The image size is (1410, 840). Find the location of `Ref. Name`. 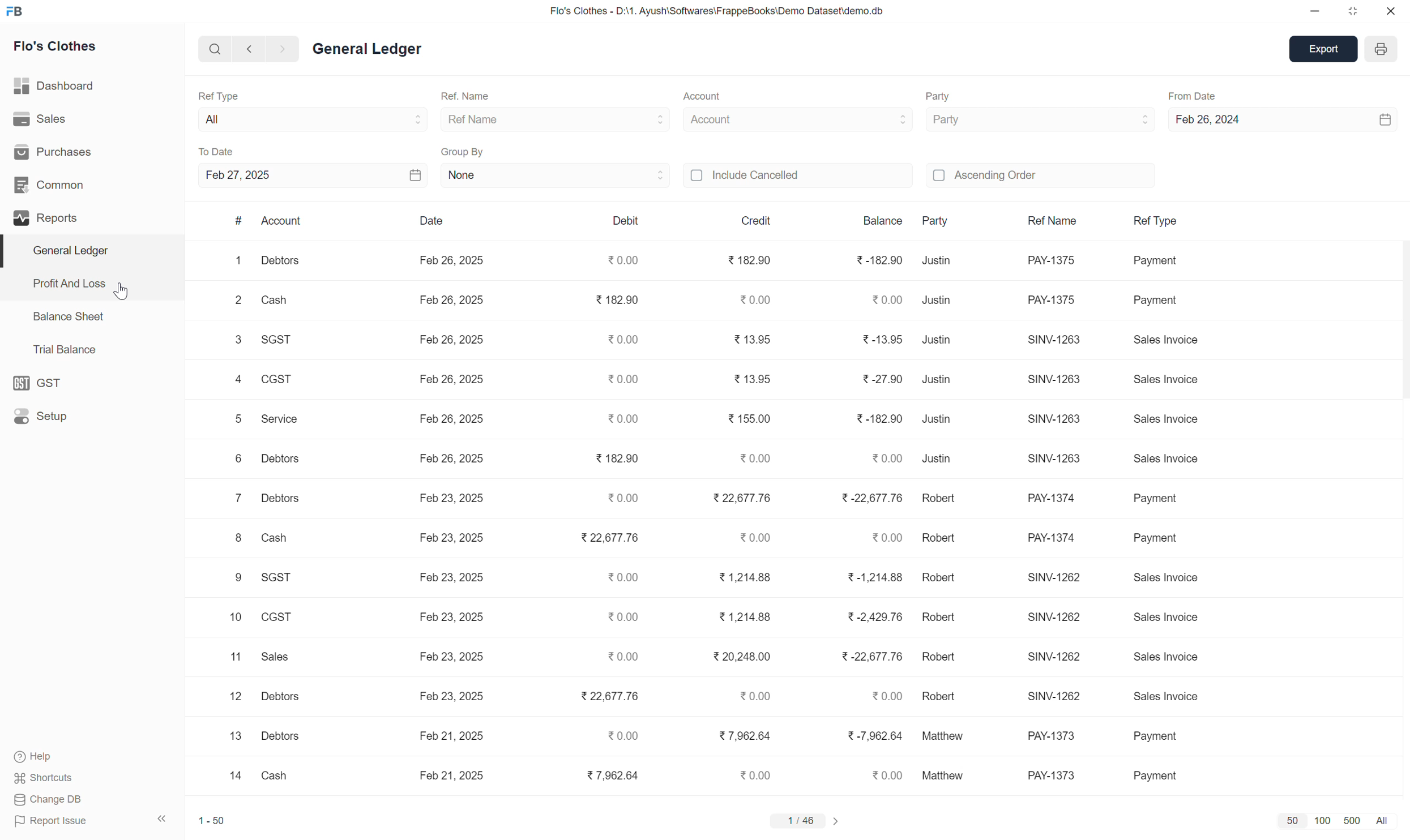

Ref. Name is located at coordinates (484, 93).